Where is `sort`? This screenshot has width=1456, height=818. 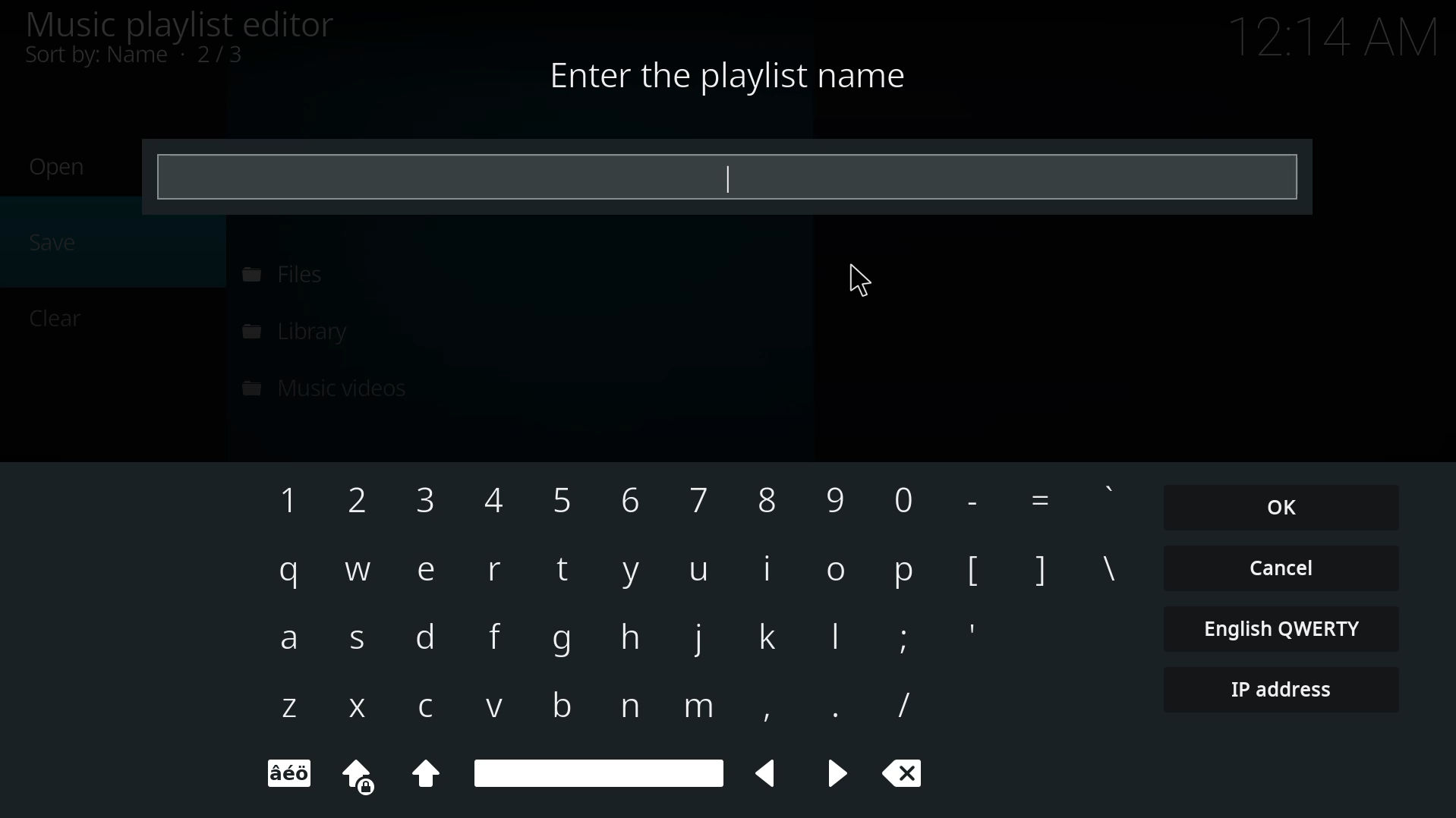 sort is located at coordinates (138, 55).